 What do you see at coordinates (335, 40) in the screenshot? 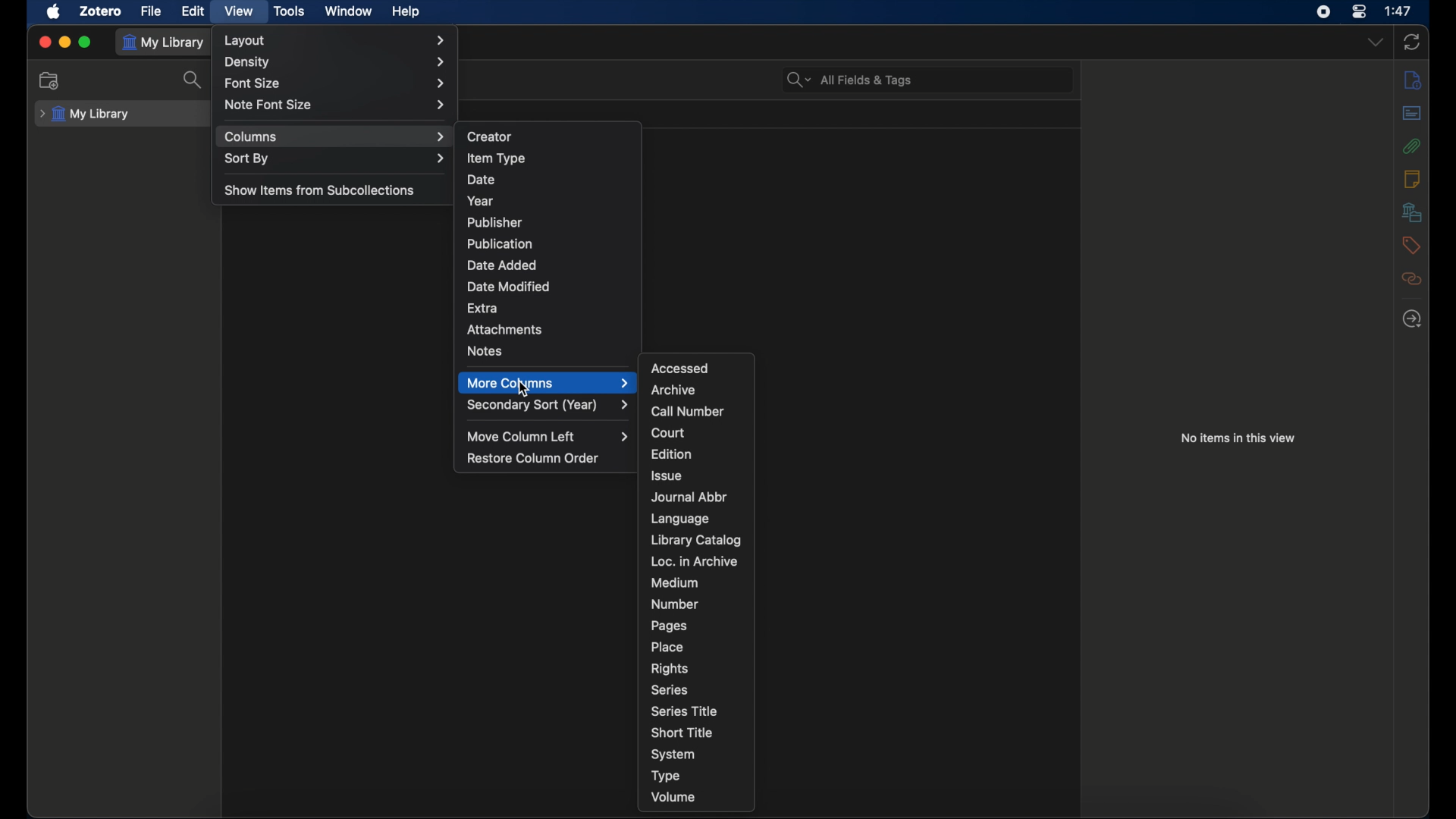
I see `layout ` at bounding box center [335, 40].